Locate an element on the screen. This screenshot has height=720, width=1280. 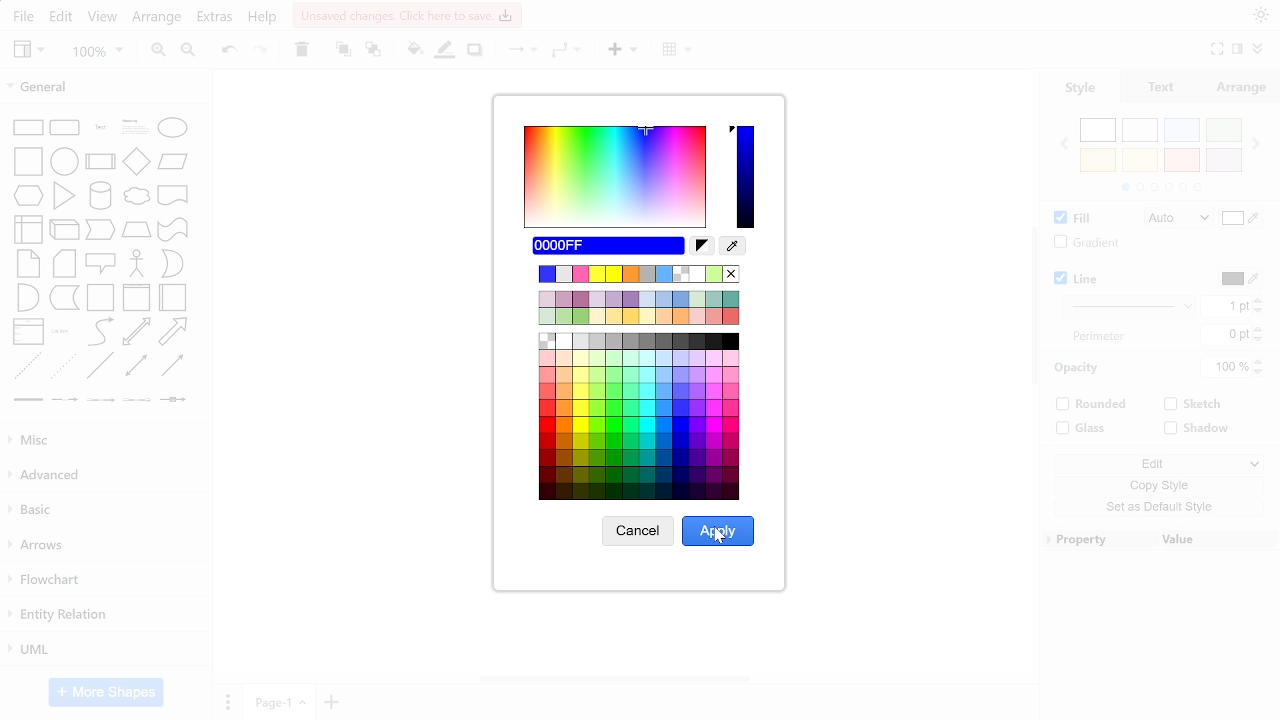
horizontal scrollbar is located at coordinates (616, 679).